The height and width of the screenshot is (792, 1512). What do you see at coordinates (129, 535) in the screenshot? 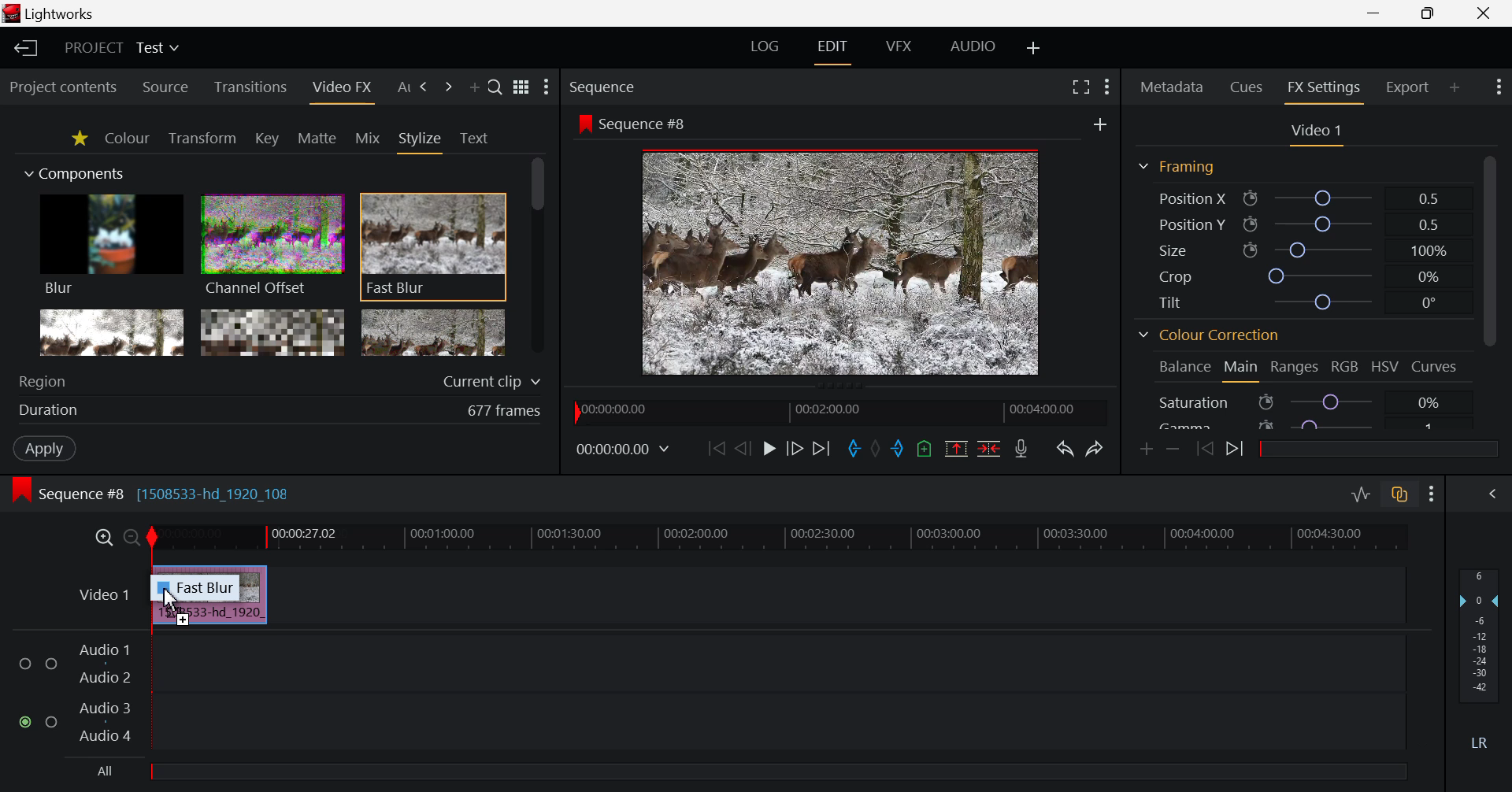
I see `Timeline Zoom Out` at bounding box center [129, 535].